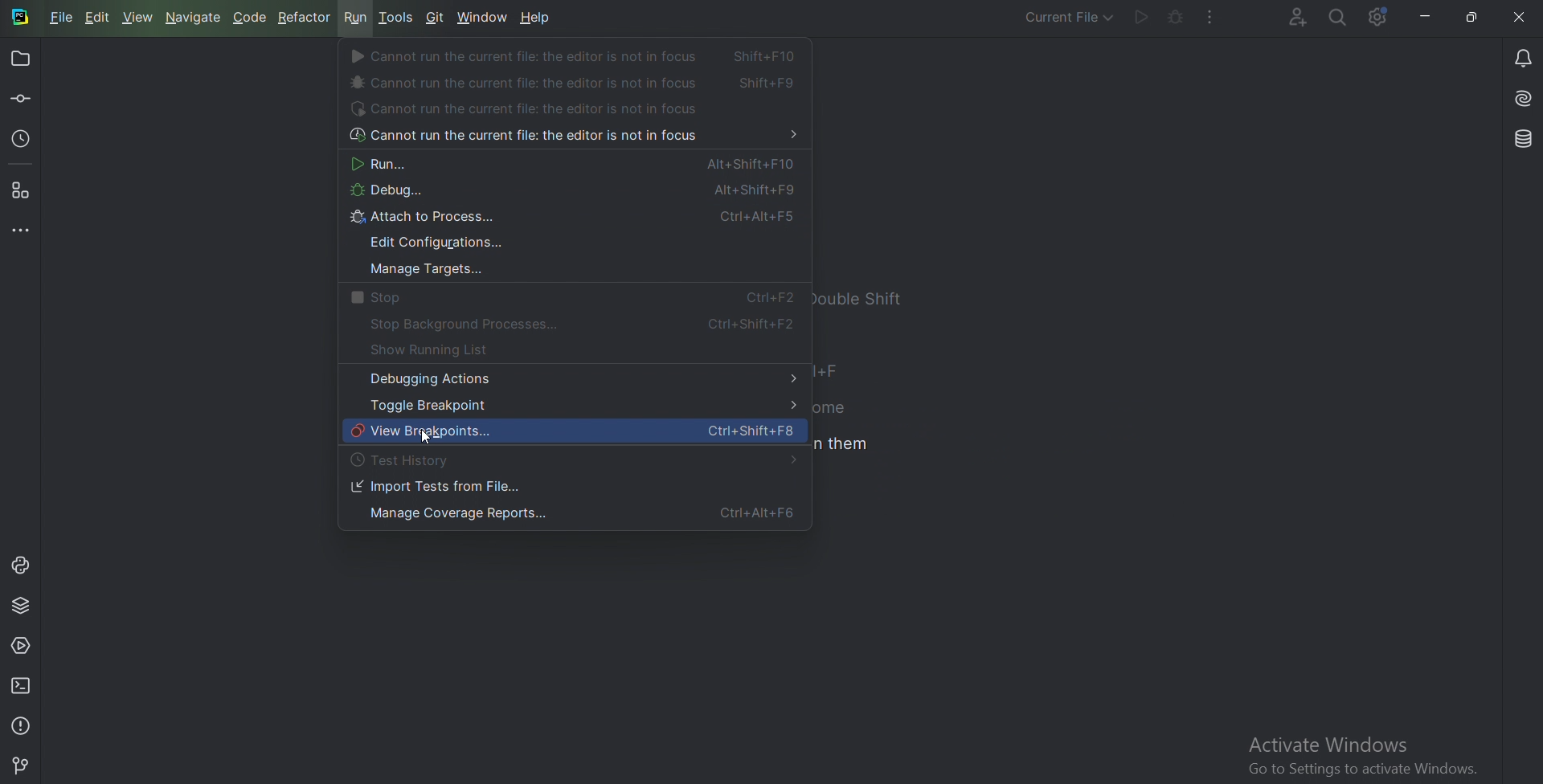  I want to click on minimize, so click(1422, 17).